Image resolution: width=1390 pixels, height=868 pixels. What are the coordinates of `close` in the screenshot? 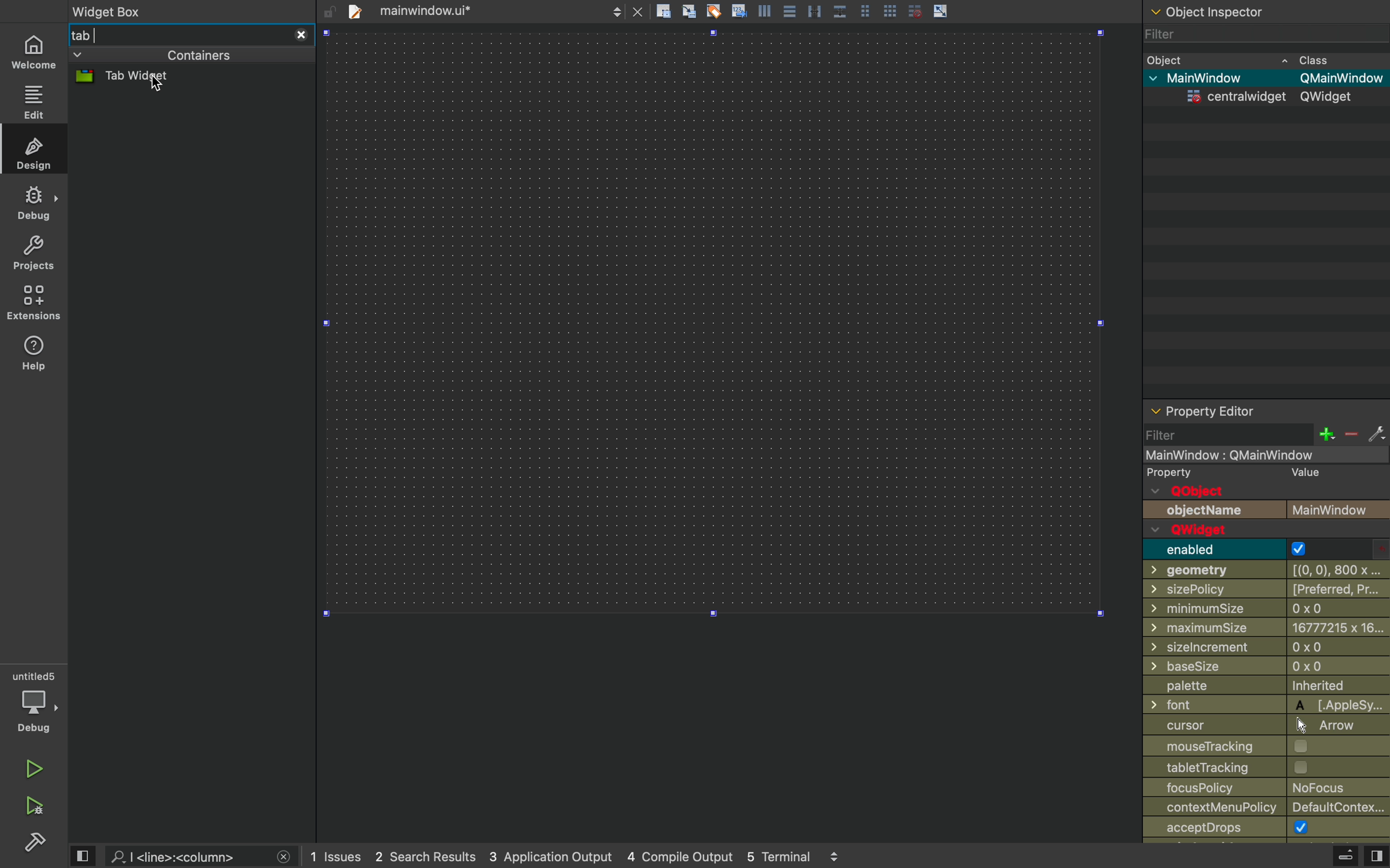 It's located at (300, 34).